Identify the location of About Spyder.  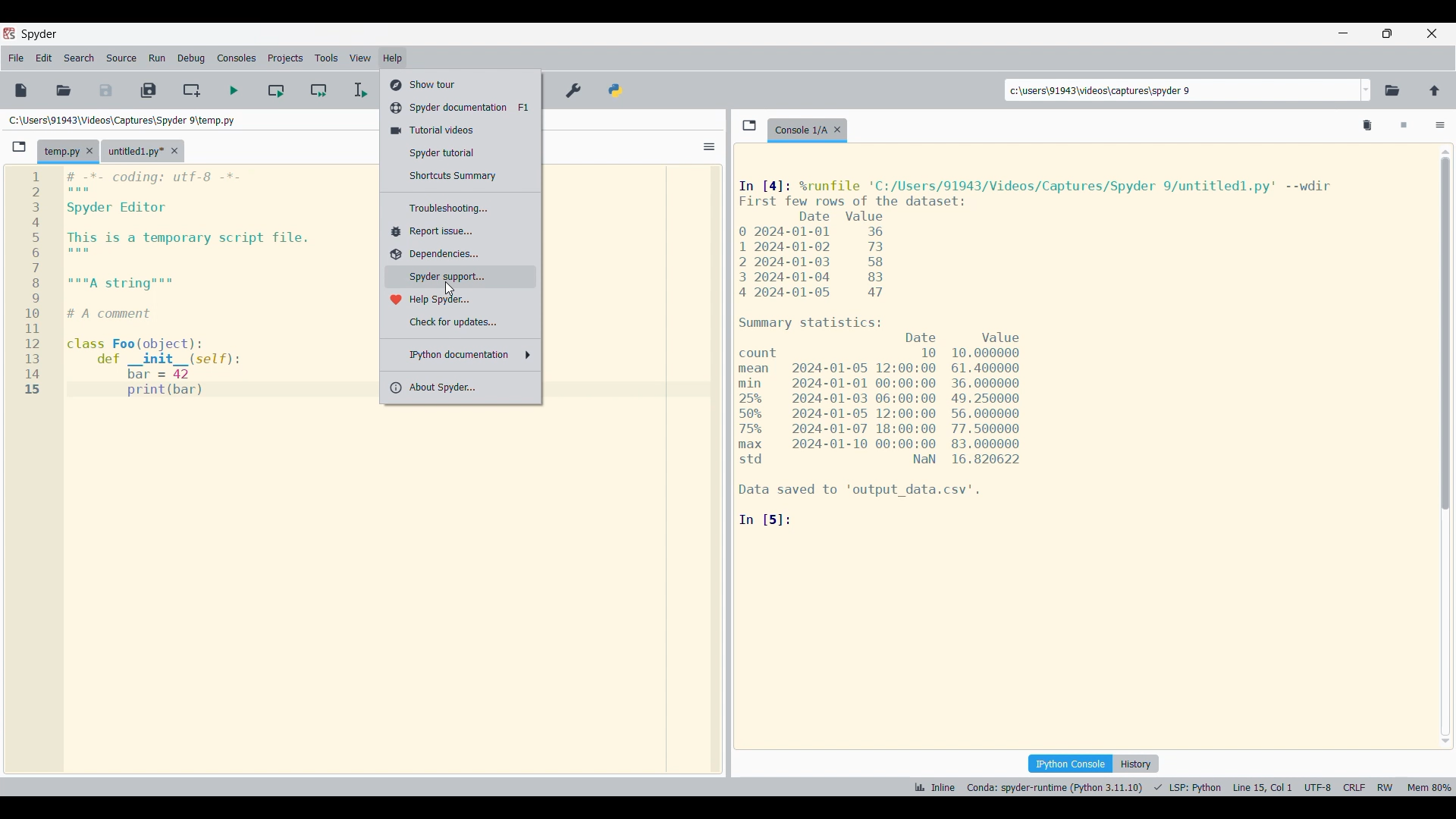
(460, 387).